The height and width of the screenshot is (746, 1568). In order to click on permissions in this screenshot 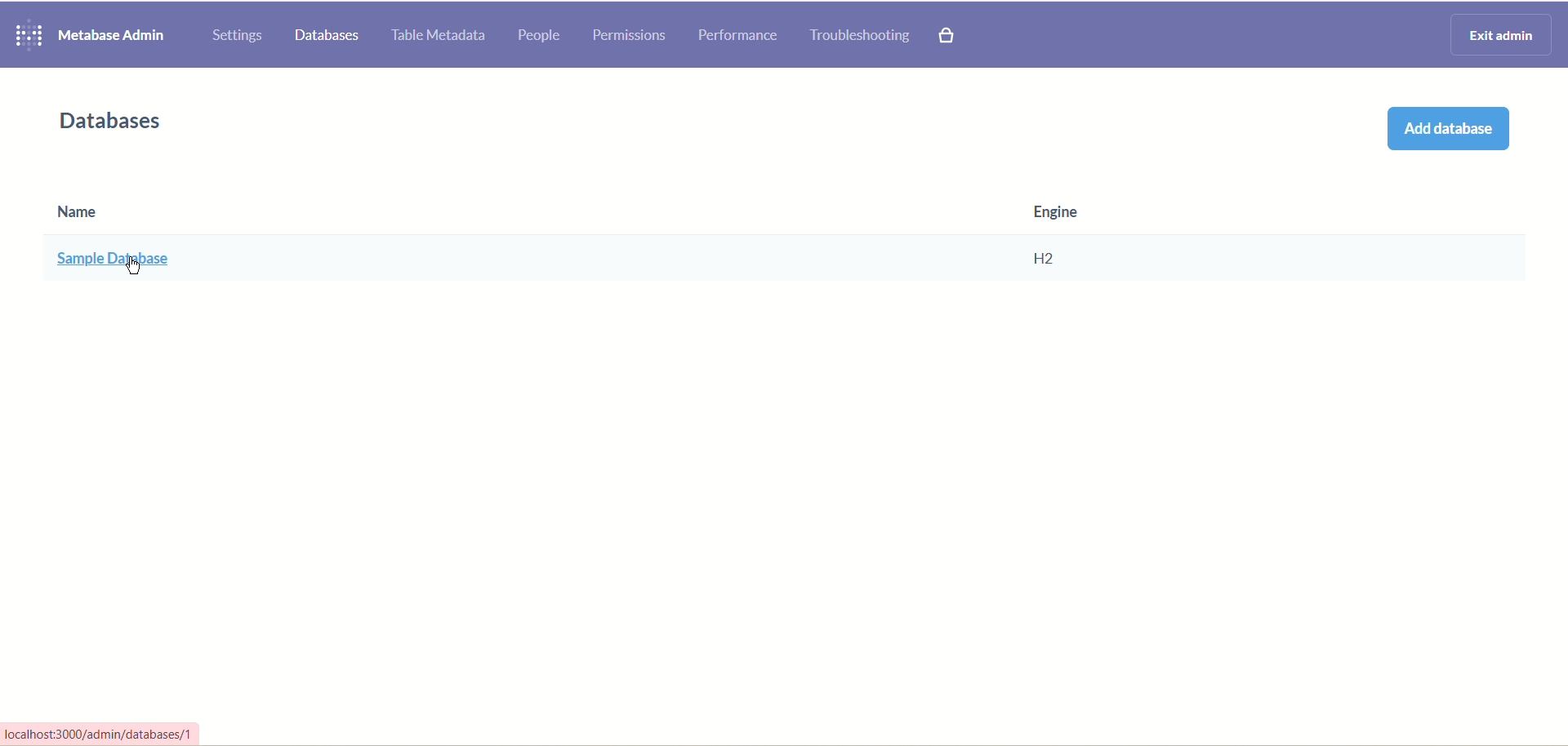, I will do `click(629, 33)`.